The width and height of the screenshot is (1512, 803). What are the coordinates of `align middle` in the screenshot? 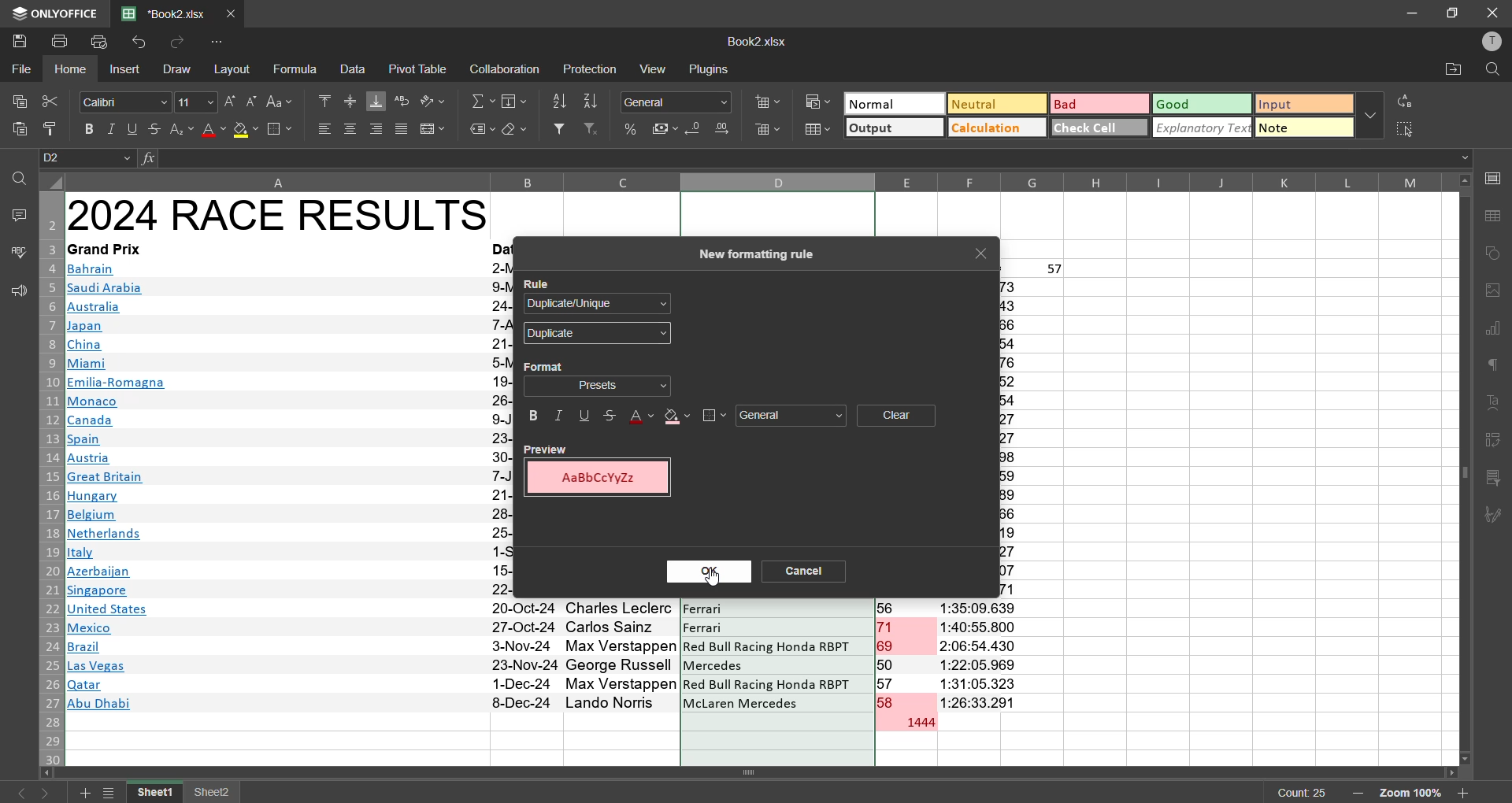 It's located at (350, 99).